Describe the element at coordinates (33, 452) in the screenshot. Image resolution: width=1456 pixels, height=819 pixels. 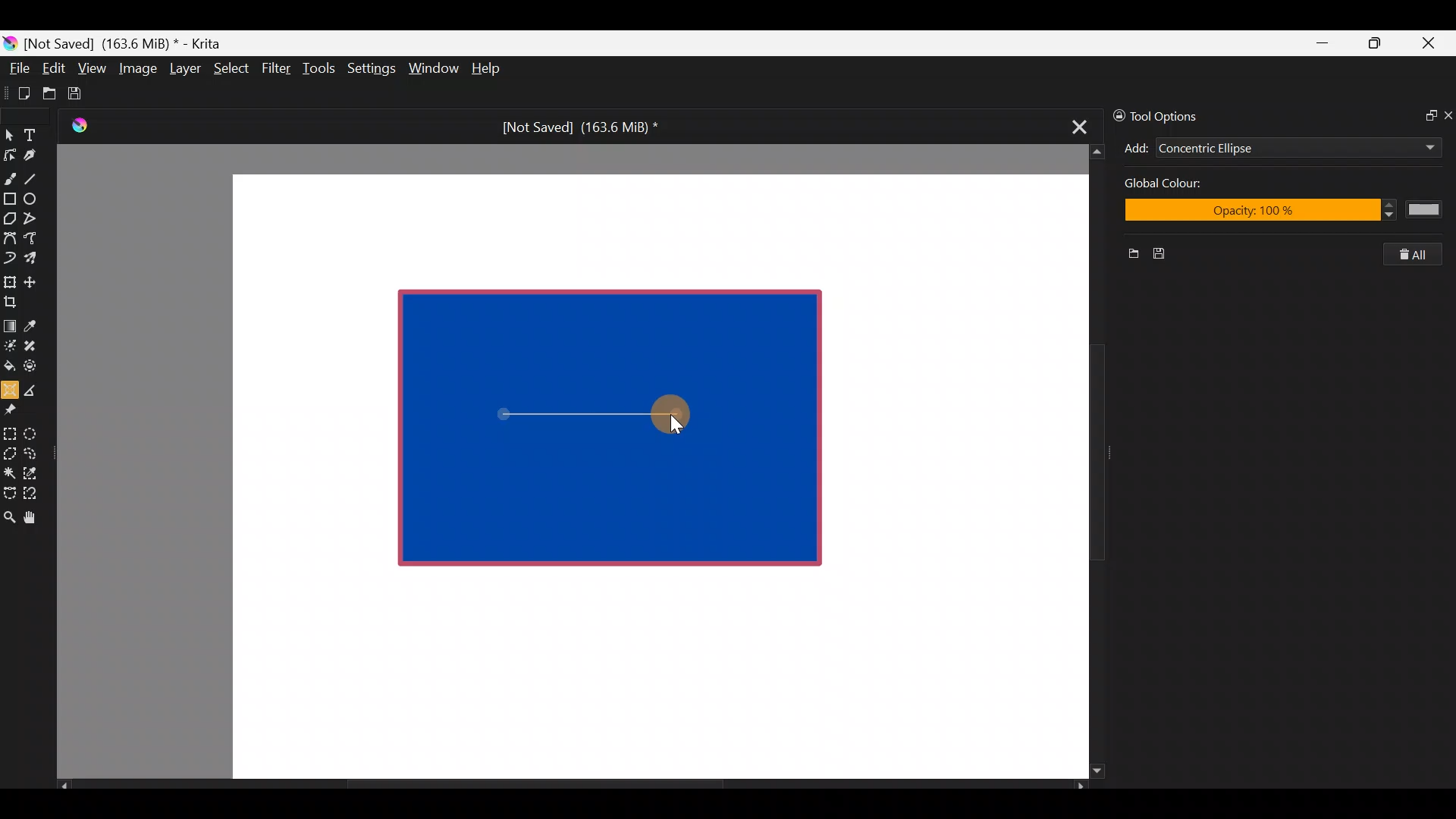
I see `Freehand selection tool` at that location.